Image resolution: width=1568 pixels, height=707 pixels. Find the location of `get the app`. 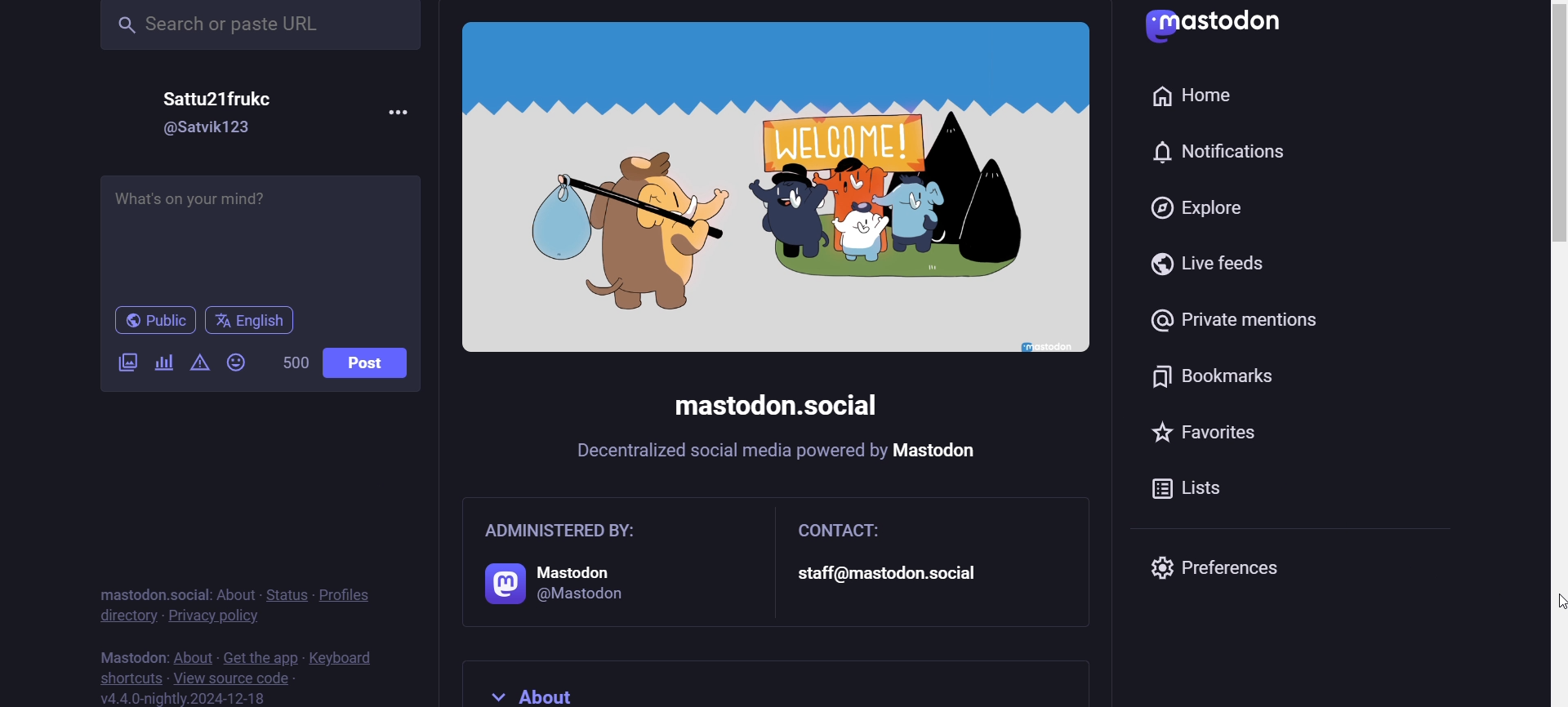

get the app is located at coordinates (260, 655).